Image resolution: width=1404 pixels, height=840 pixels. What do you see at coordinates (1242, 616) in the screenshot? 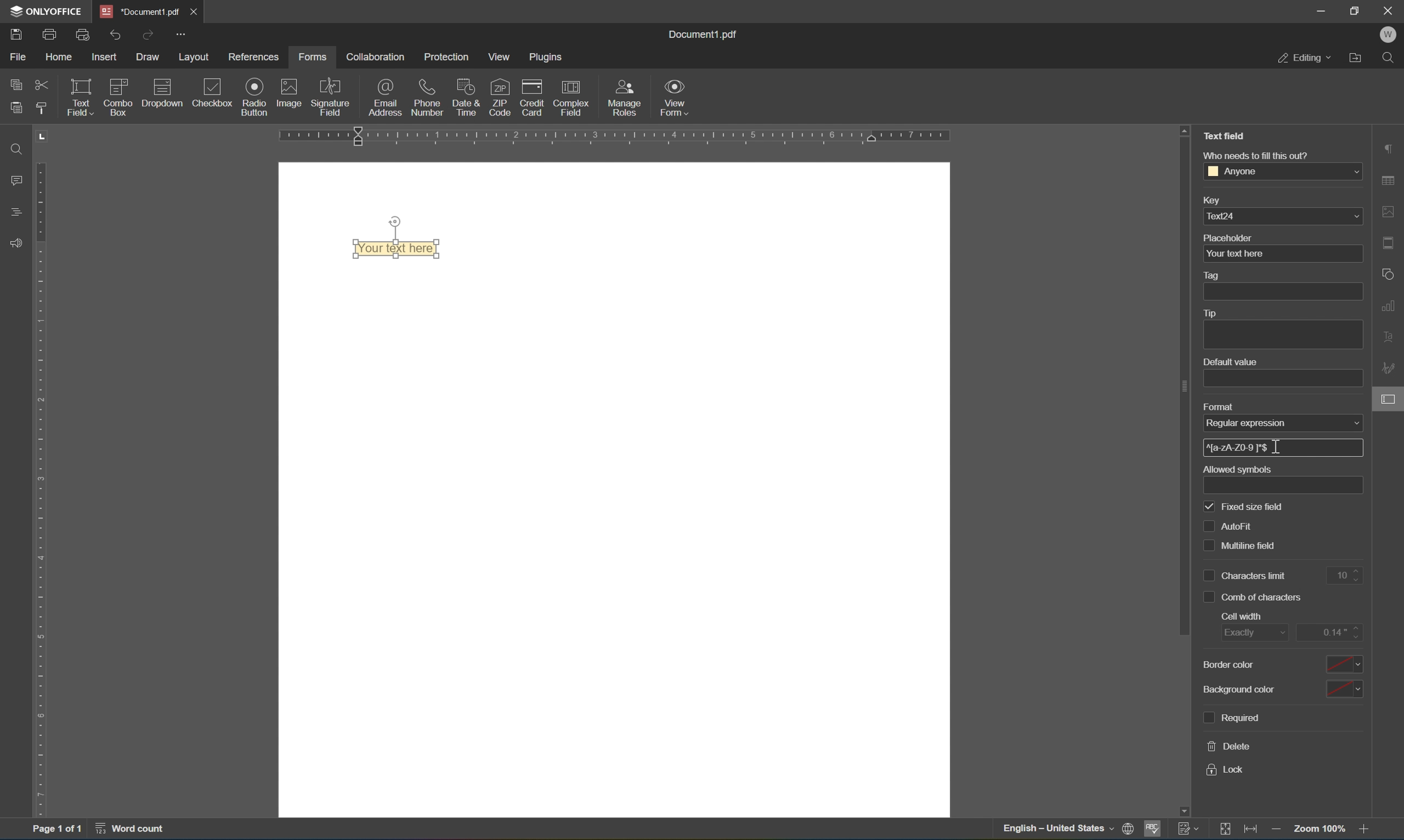
I see `cell width` at bounding box center [1242, 616].